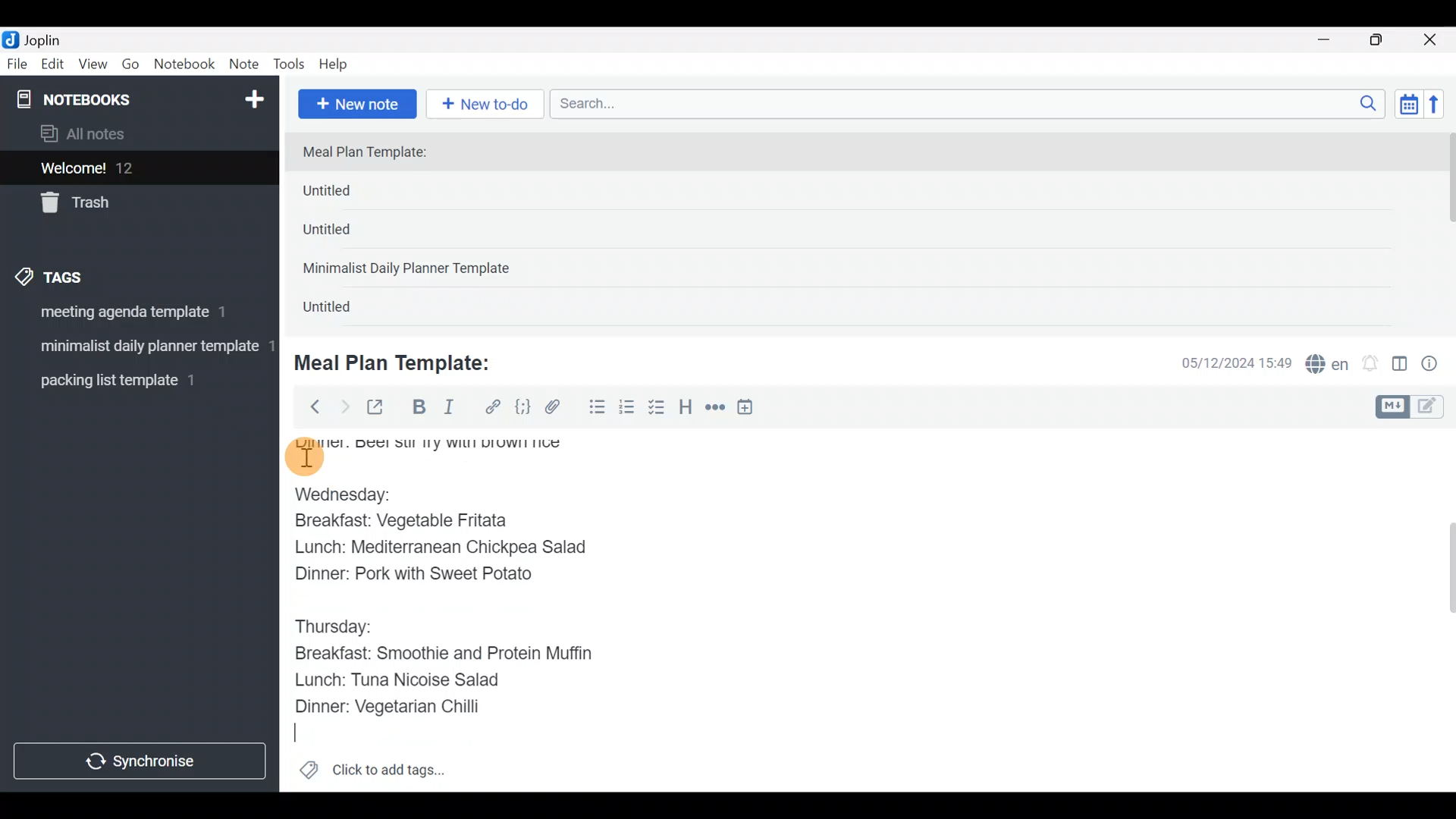 This screenshot has width=1456, height=819. Describe the element at coordinates (715, 409) in the screenshot. I see `Horizontal rule` at that location.